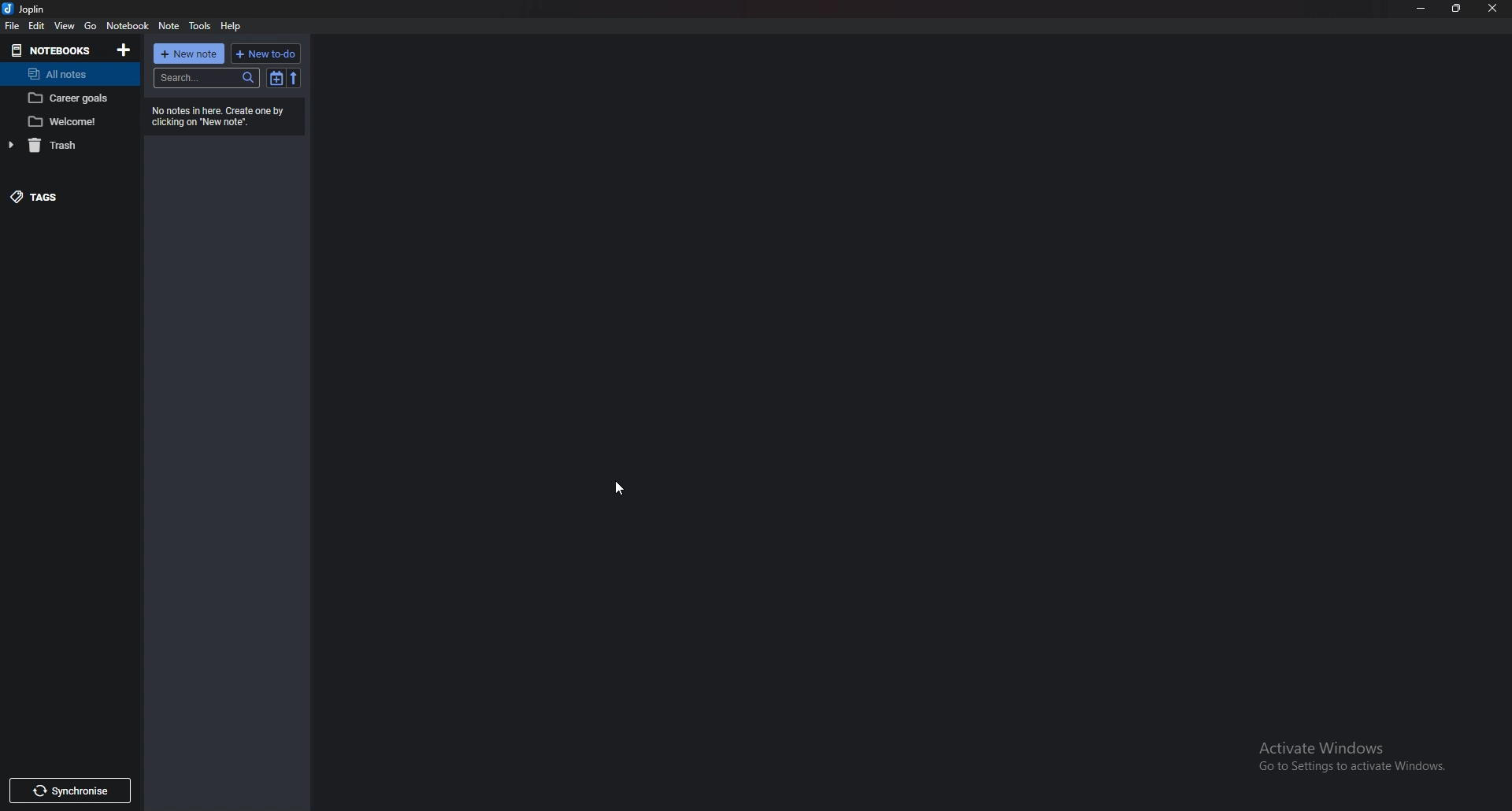  I want to click on search, so click(206, 78).